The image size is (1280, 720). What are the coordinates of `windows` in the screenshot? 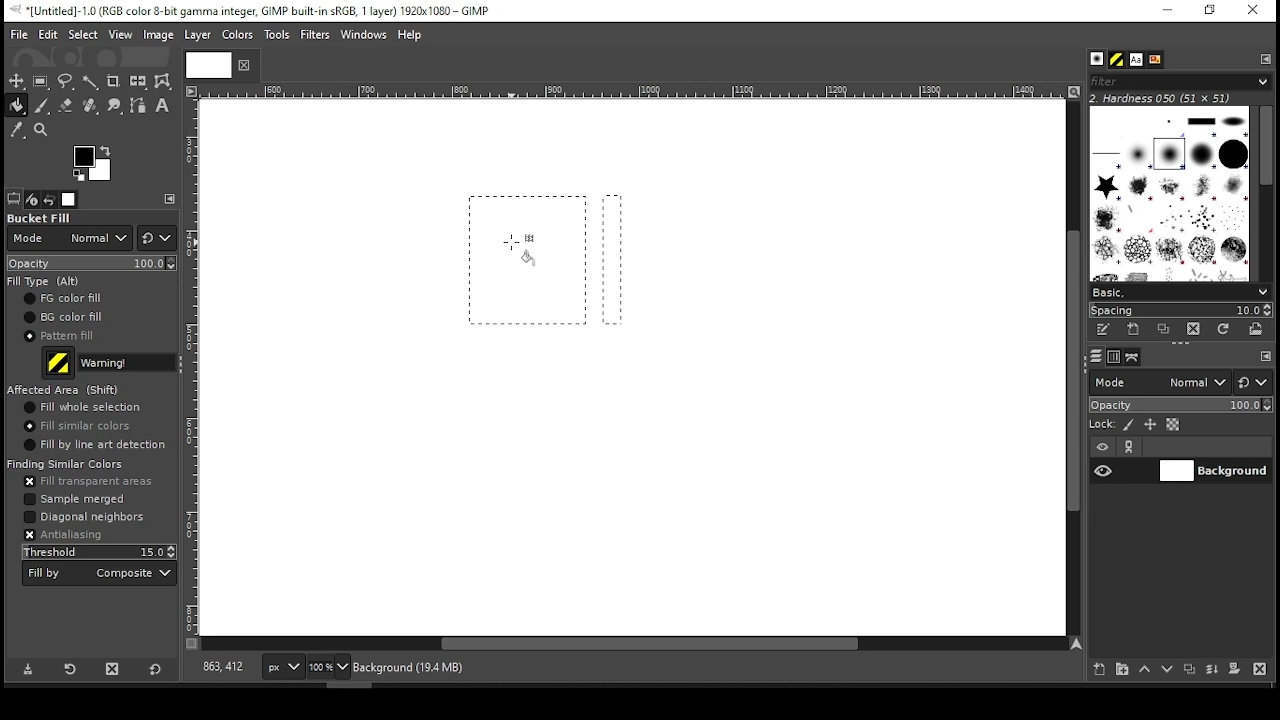 It's located at (365, 36).